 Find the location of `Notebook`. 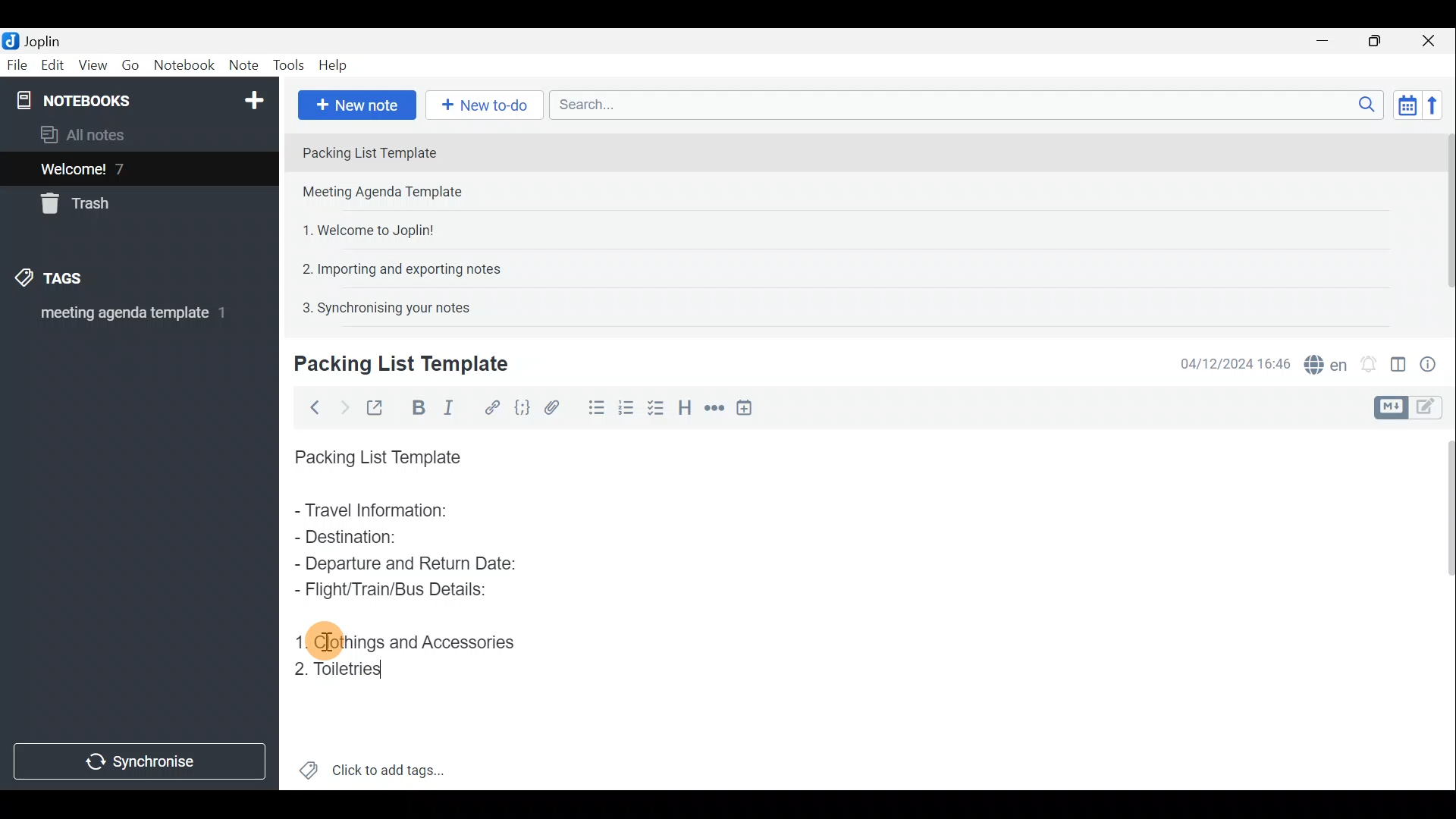

Notebook is located at coordinates (137, 99).